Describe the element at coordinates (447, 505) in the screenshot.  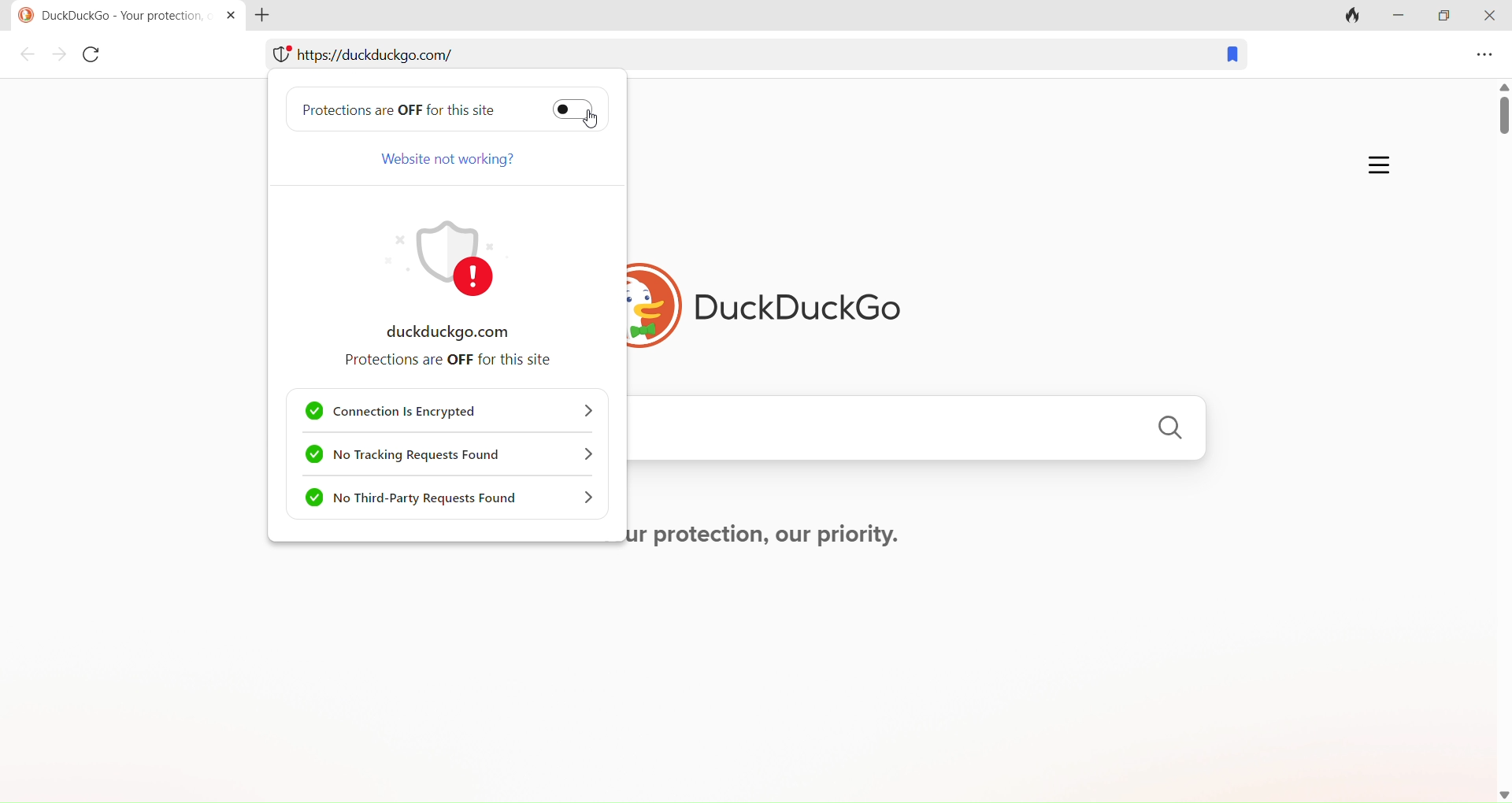
I see `no third party requests found` at that location.